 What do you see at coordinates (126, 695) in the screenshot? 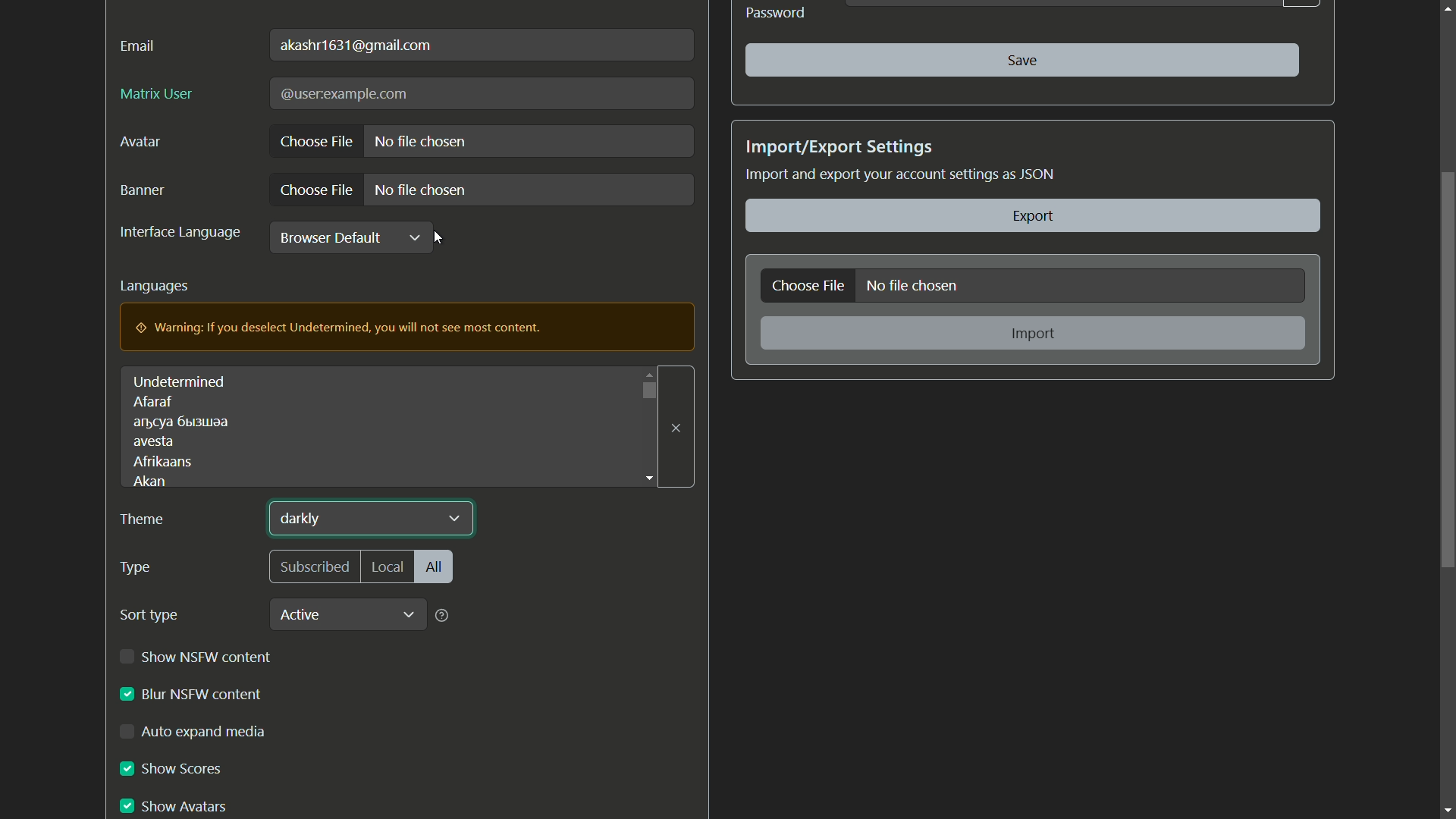
I see `checkbox` at bounding box center [126, 695].